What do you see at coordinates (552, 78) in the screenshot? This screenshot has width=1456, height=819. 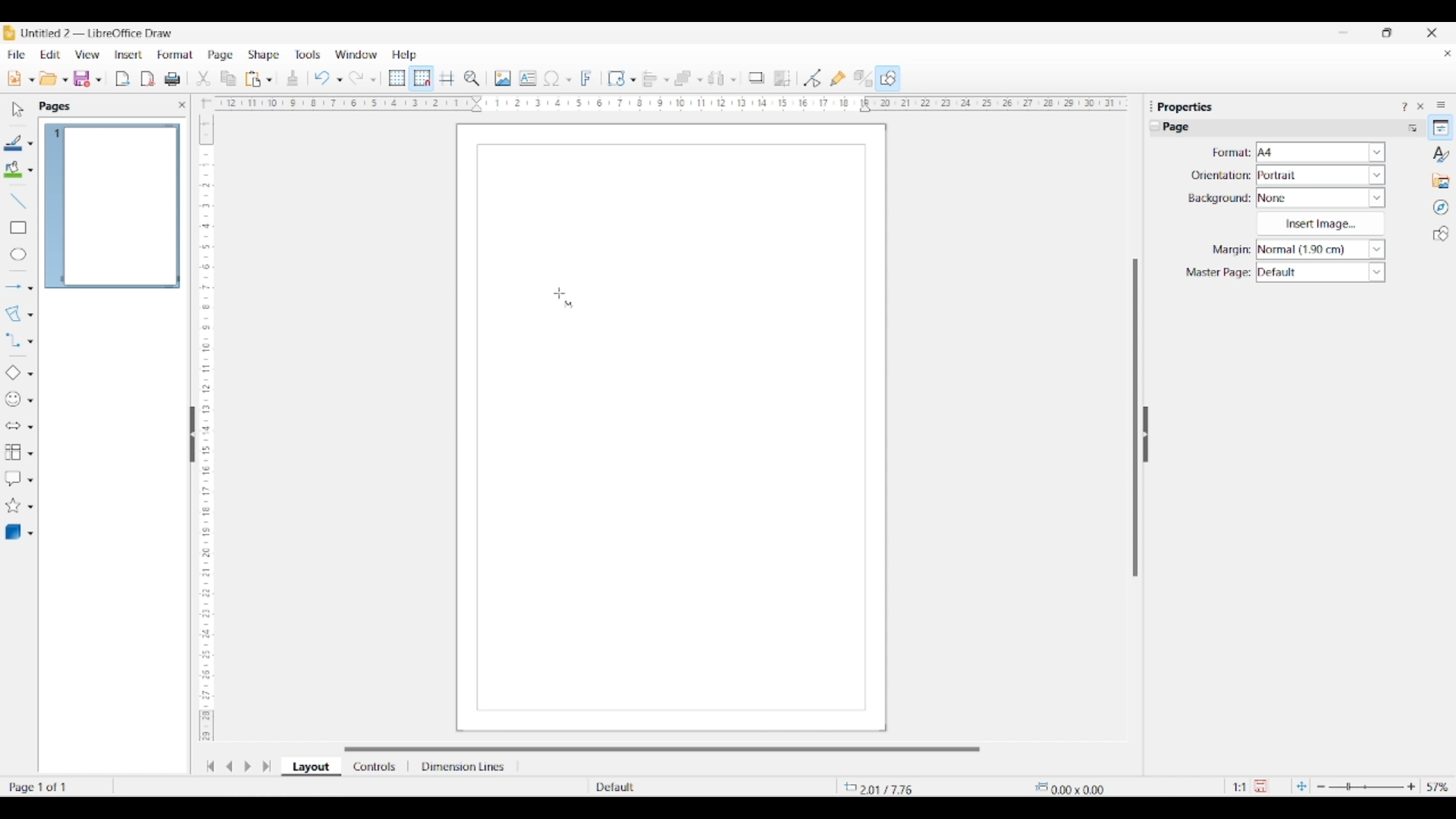 I see `Selected special character` at bounding box center [552, 78].